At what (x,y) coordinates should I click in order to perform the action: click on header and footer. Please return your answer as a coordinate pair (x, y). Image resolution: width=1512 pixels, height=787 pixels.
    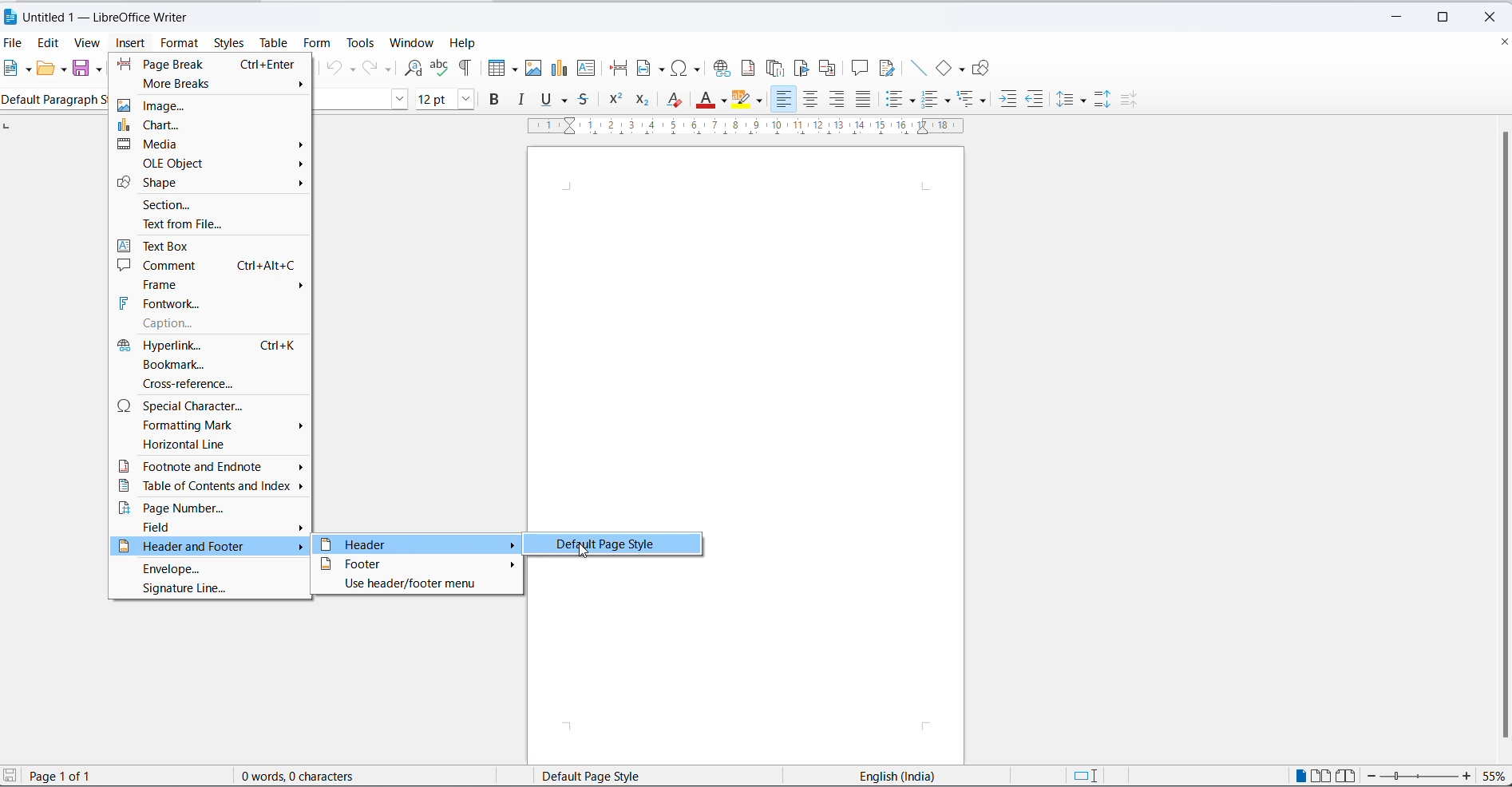
    Looking at the image, I should click on (212, 548).